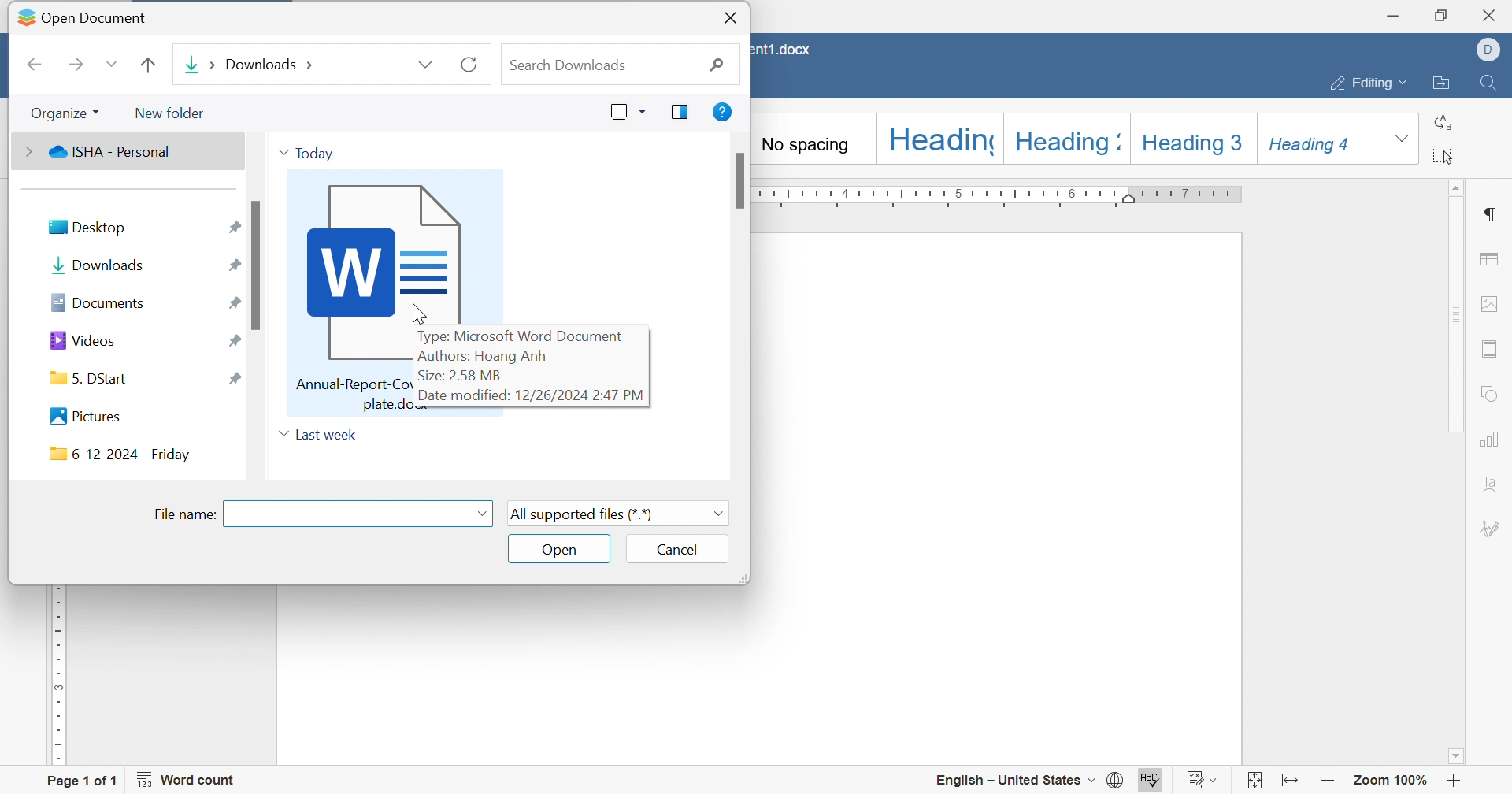  Describe the element at coordinates (1070, 135) in the screenshot. I see `types of heading` at that location.